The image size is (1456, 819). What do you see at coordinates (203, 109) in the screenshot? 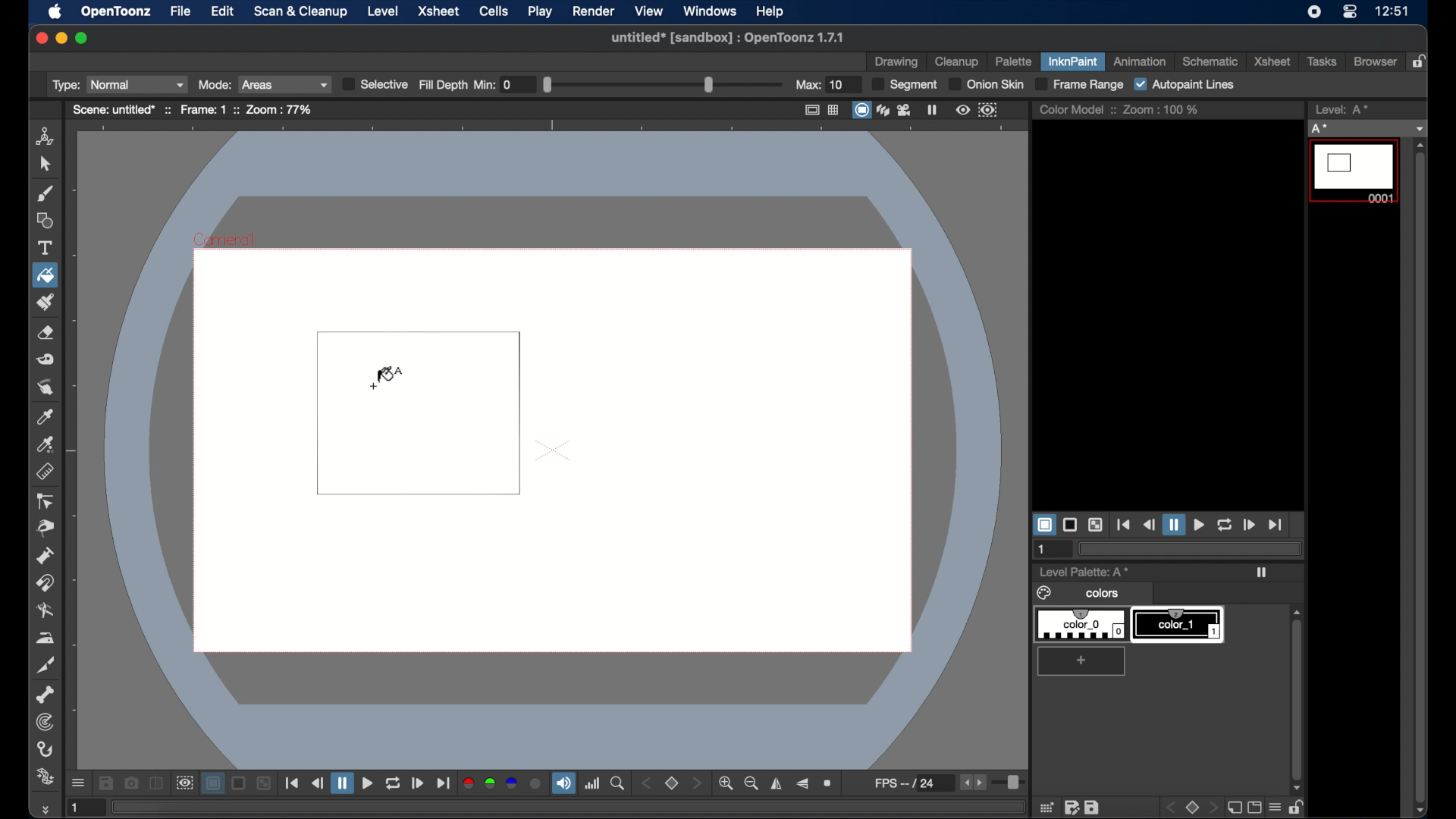
I see `frame: 1` at bounding box center [203, 109].